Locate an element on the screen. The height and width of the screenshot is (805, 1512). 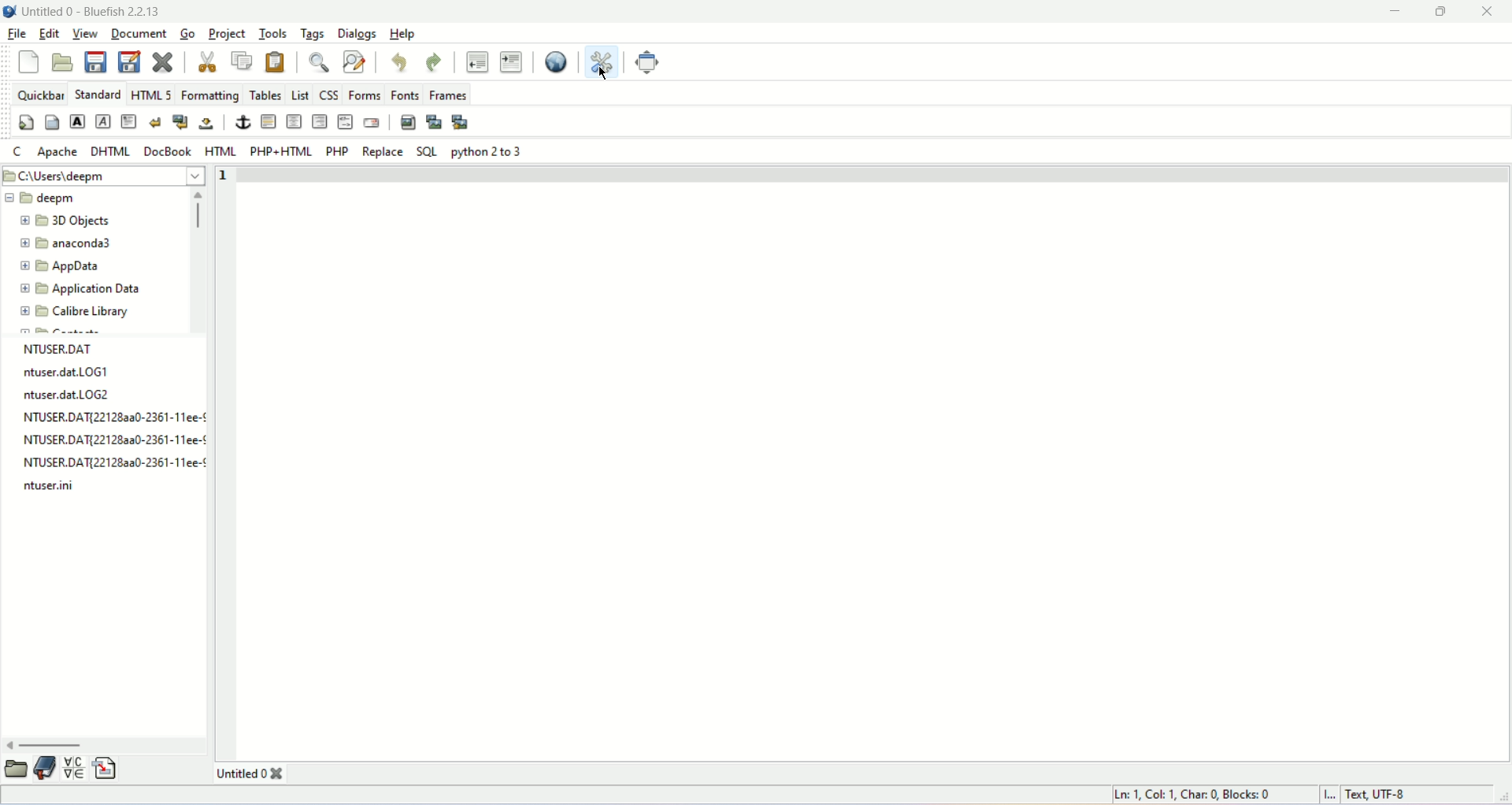
close current file is located at coordinates (164, 60).